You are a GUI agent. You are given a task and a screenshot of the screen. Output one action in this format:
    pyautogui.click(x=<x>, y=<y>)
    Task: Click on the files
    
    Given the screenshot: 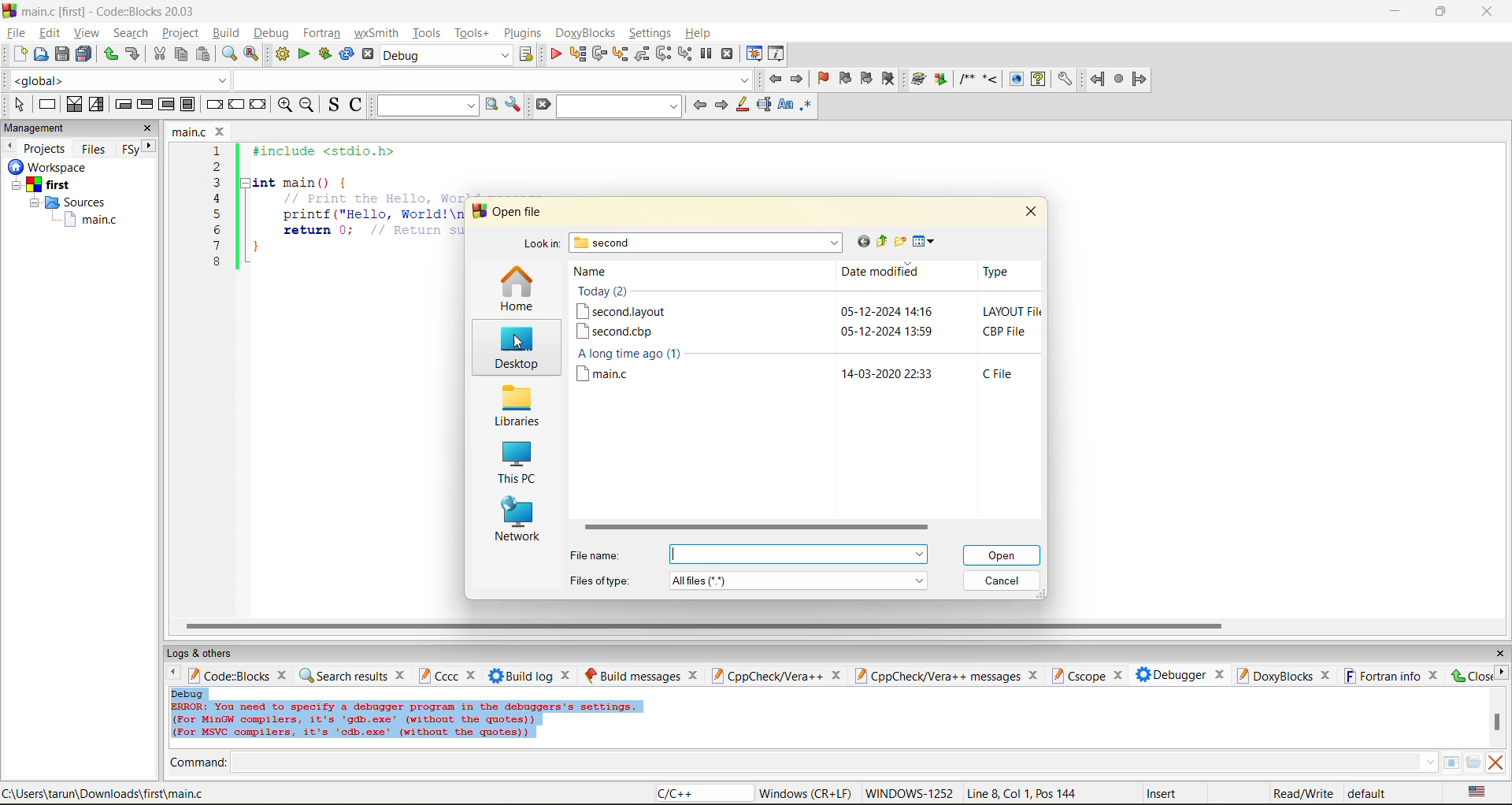 What is the action you would take?
    pyautogui.click(x=94, y=148)
    